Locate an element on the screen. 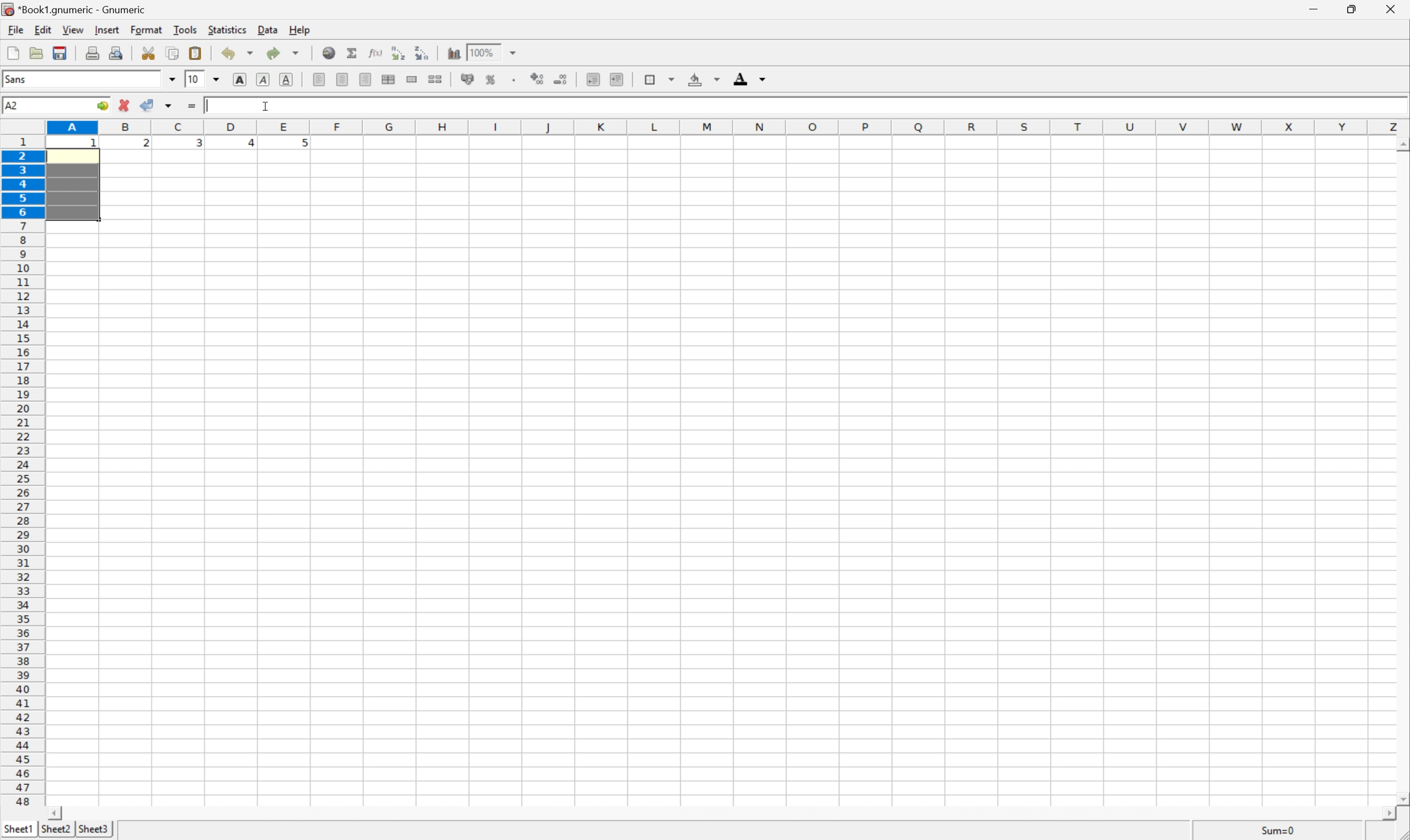  format selection as accounting is located at coordinates (466, 79).